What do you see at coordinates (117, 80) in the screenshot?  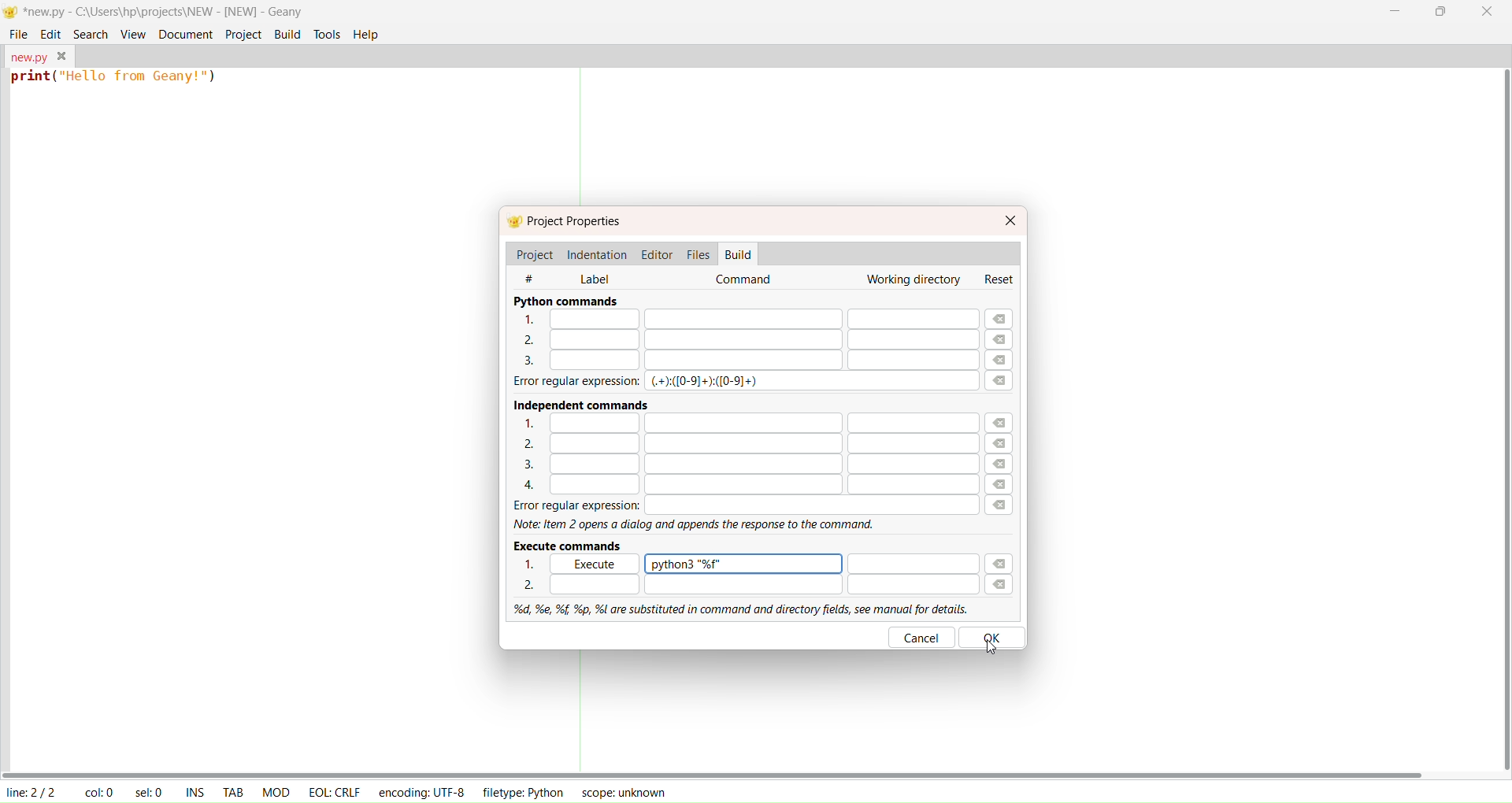 I see `Print ("Hello from Granny!")` at bounding box center [117, 80].